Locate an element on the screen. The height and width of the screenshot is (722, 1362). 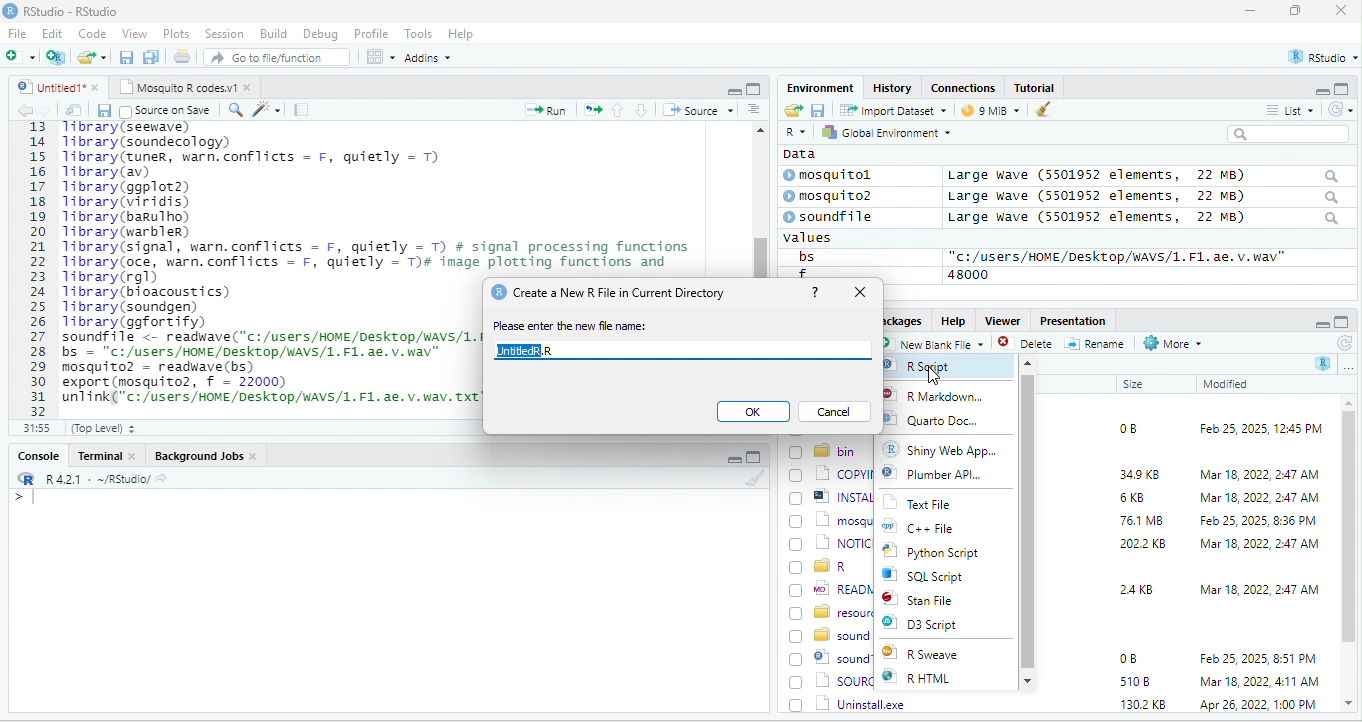
clases is located at coordinates (965, 86).